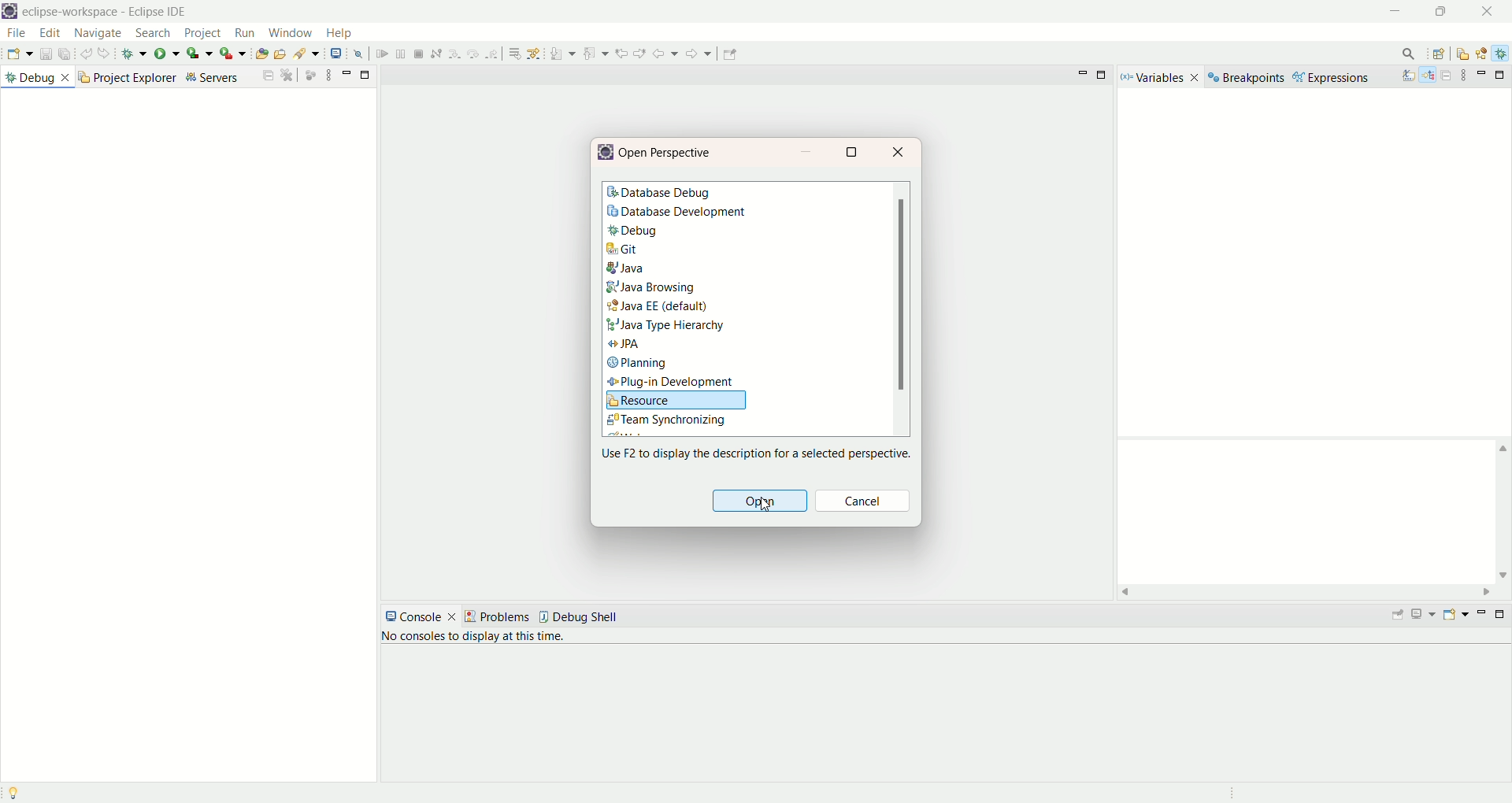 This screenshot has height=803, width=1512. I want to click on logo, so click(10, 12).